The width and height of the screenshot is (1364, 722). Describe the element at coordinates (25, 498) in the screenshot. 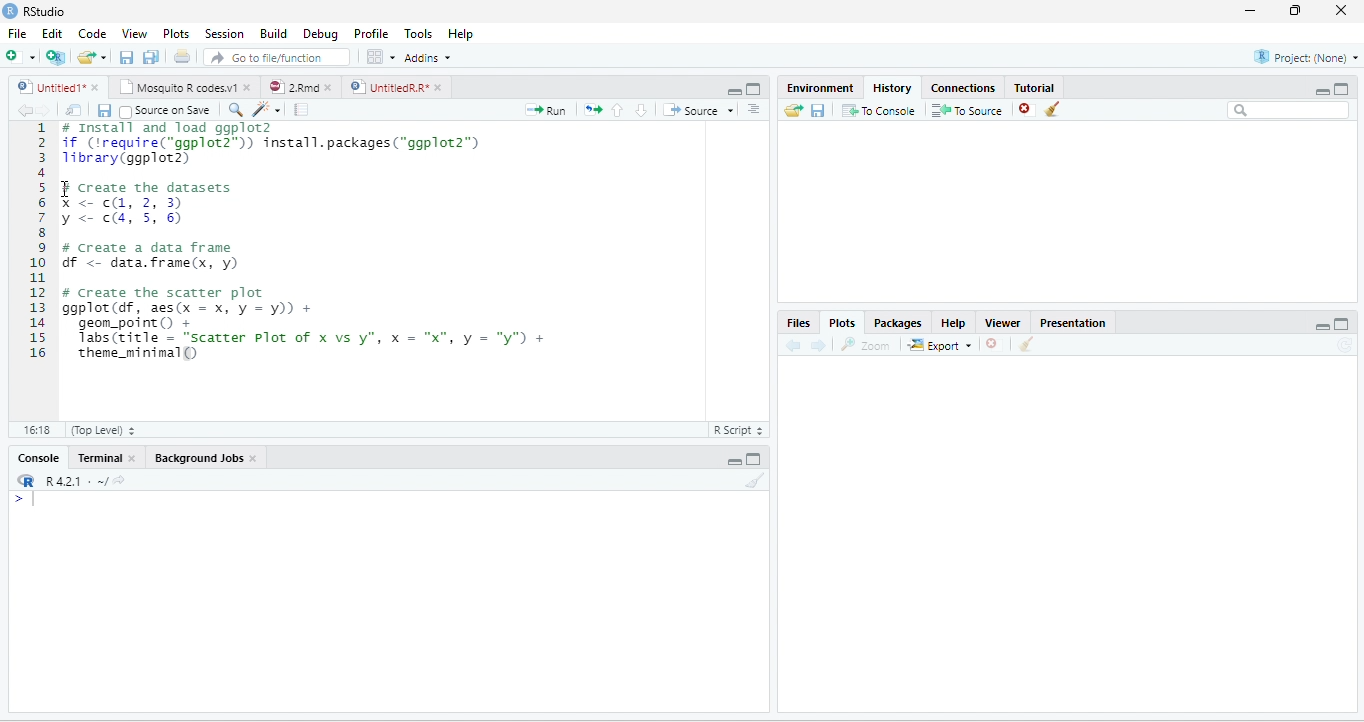

I see `New line` at that location.